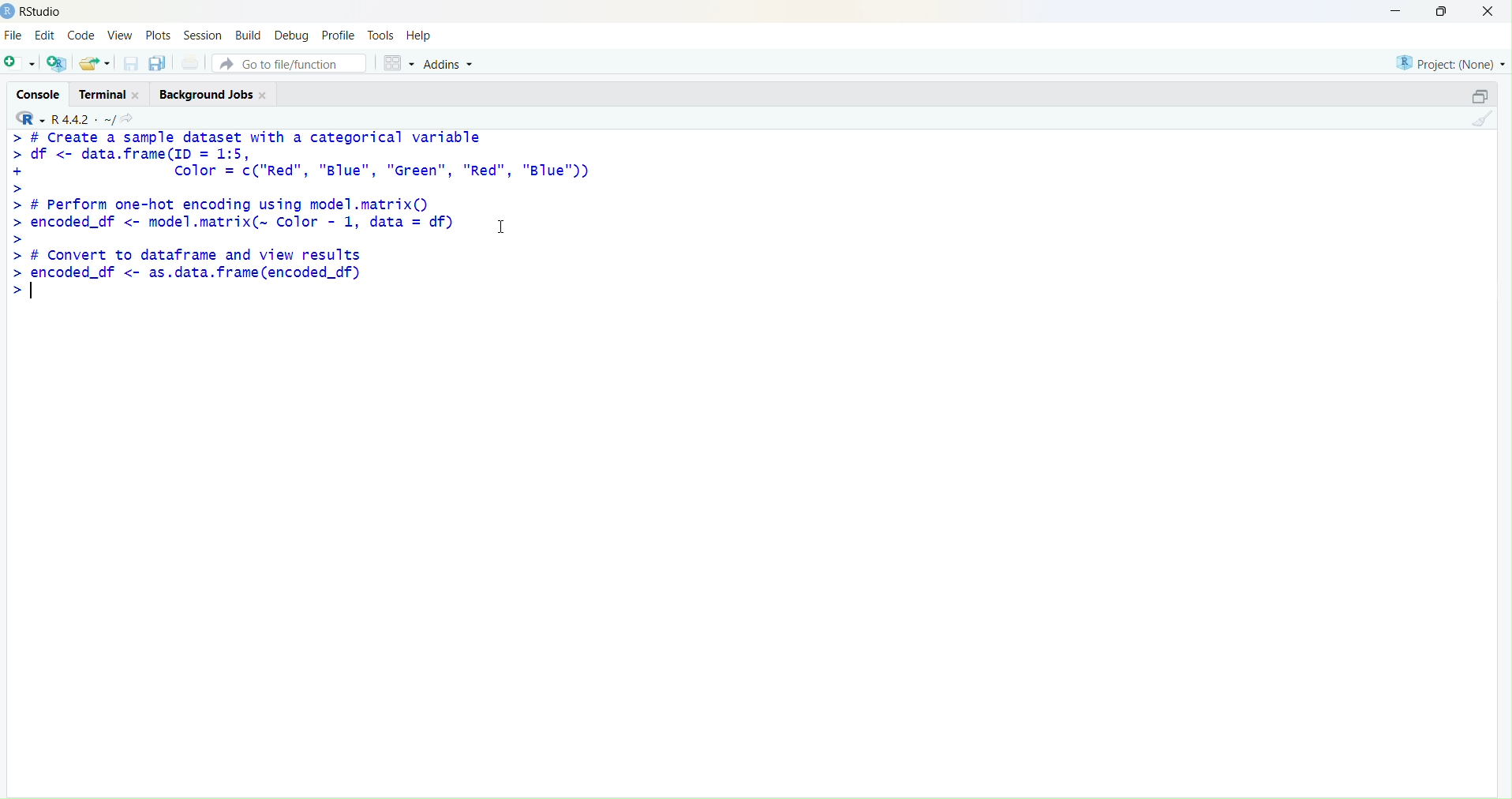 This screenshot has width=1512, height=799. I want to click on go to file/function, so click(289, 63).